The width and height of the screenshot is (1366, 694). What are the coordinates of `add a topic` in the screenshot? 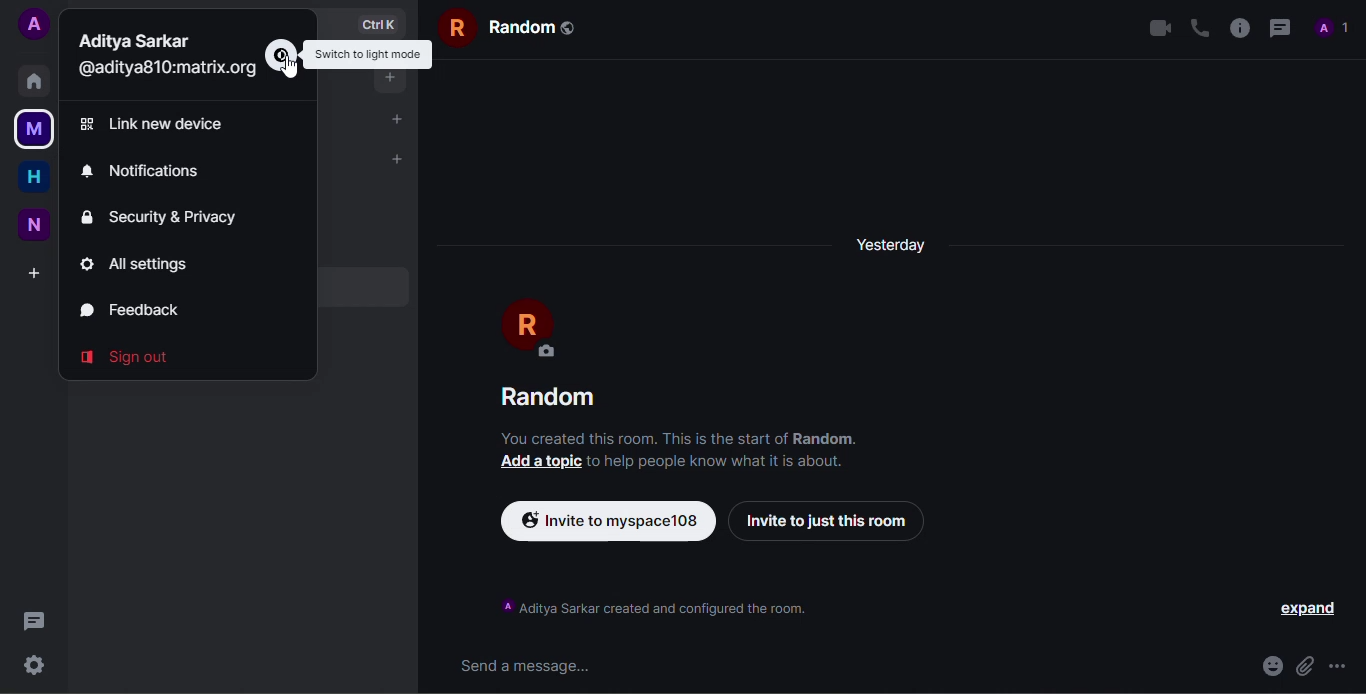 It's located at (537, 462).